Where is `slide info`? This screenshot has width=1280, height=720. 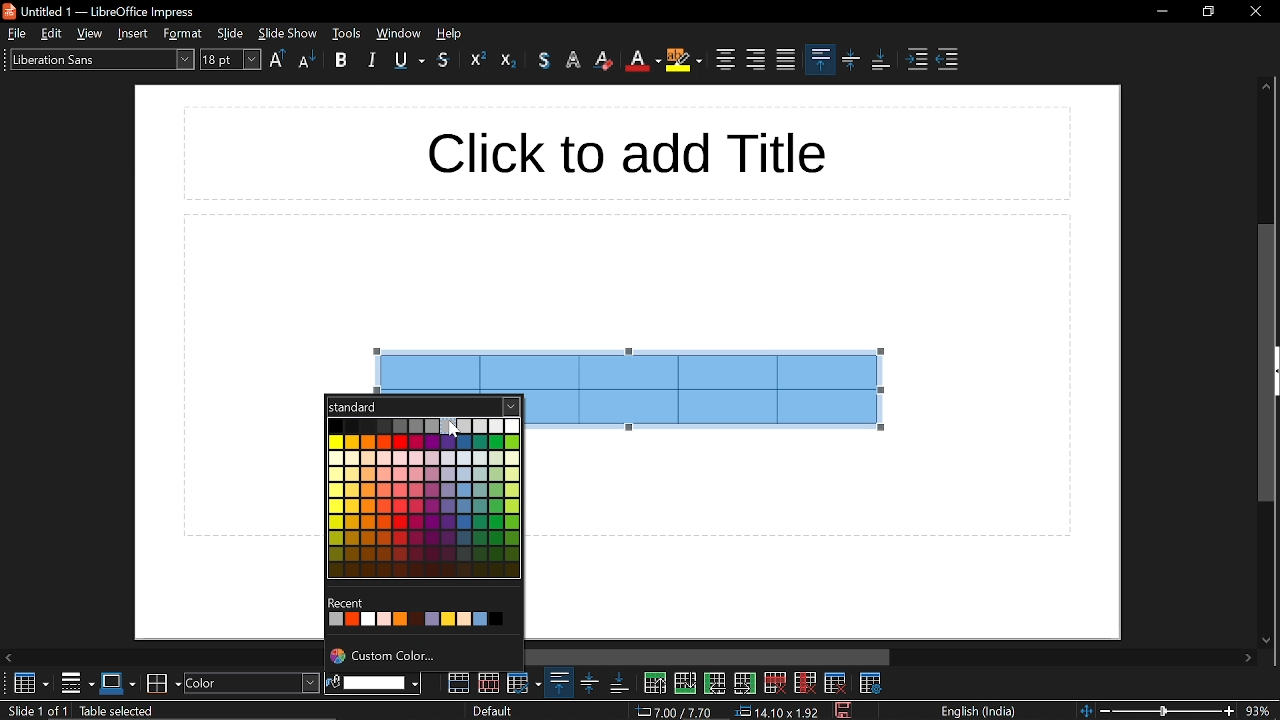 slide info is located at coordinates (181, 711).